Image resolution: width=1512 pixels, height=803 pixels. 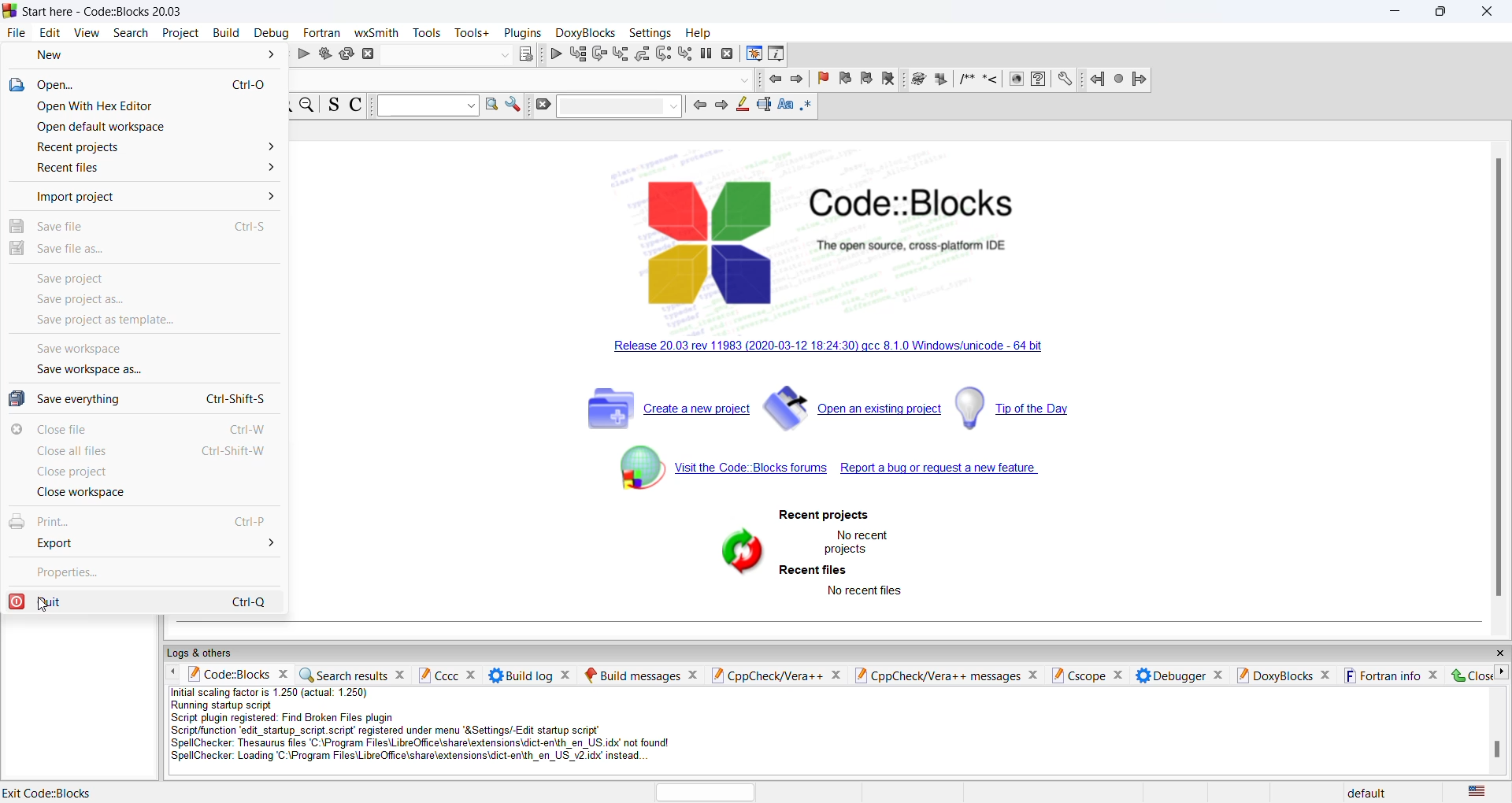 What do you see at coordinates (721, 106) in the screenshot?
I see `next` at bounding box center [721, 106].